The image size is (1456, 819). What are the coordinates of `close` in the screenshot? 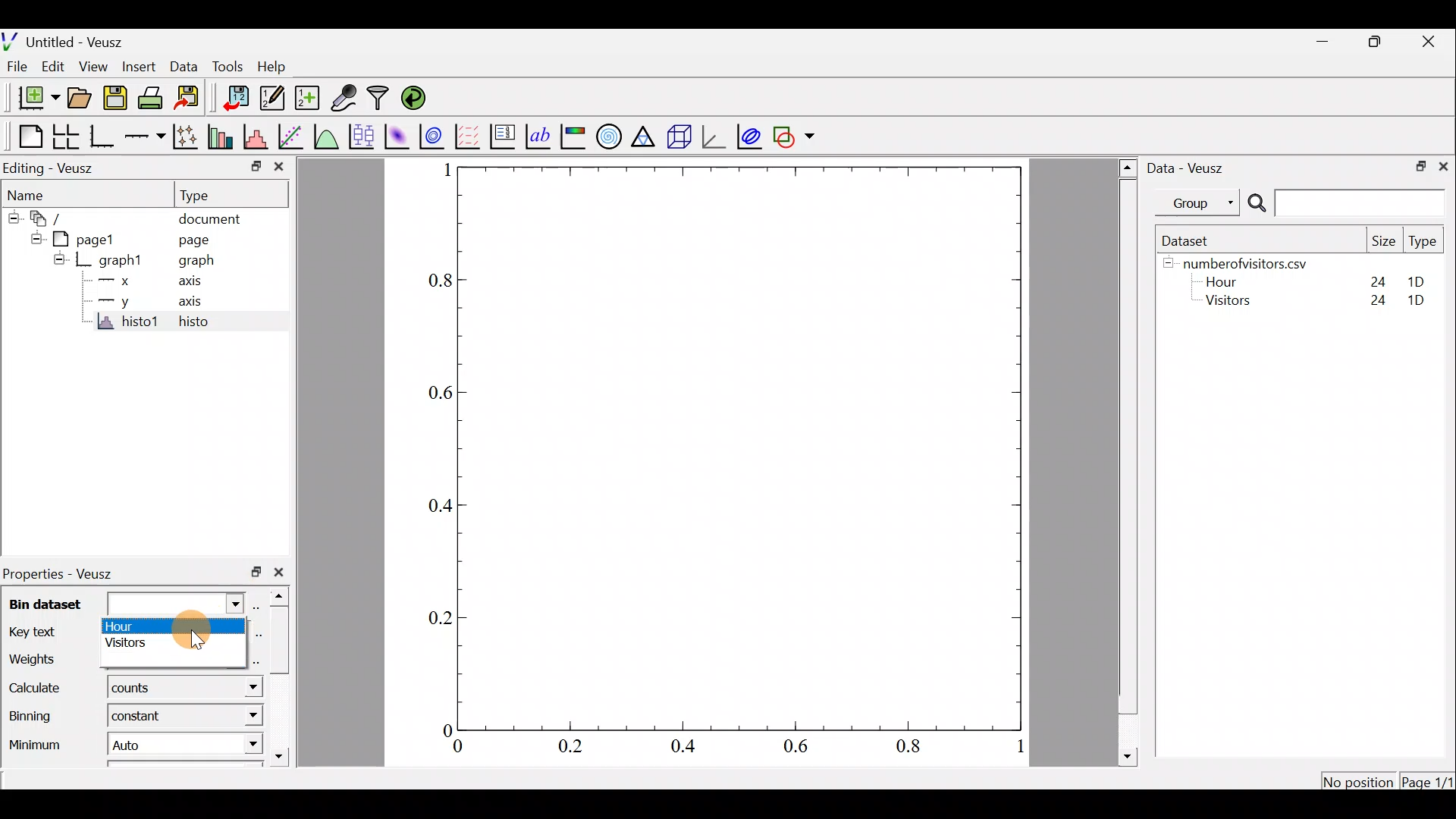 It's located at (1443, 168).